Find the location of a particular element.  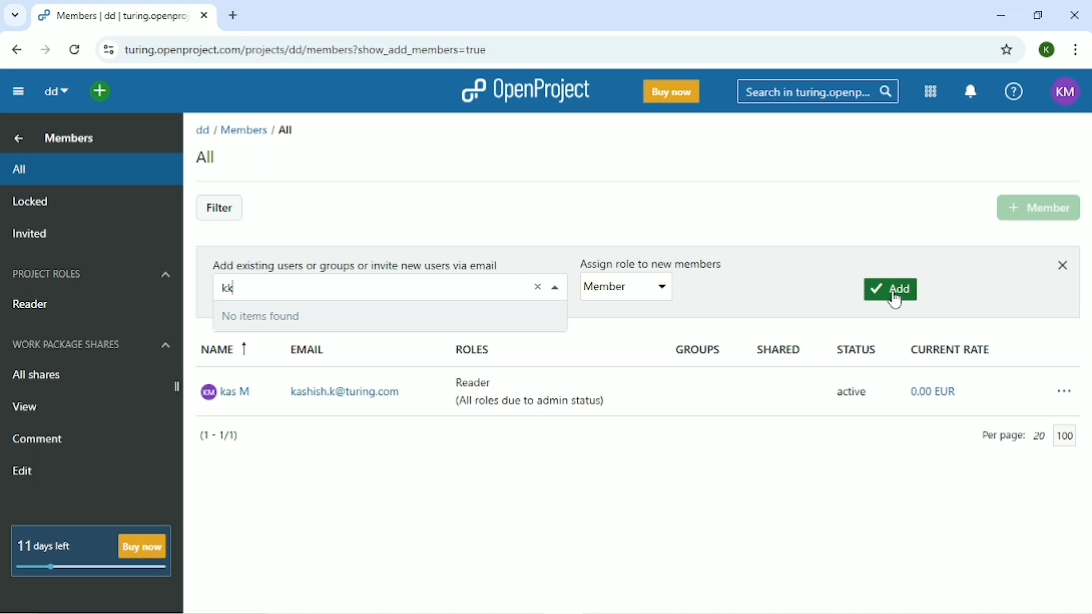

Forward is located at coordinates (46, 50).